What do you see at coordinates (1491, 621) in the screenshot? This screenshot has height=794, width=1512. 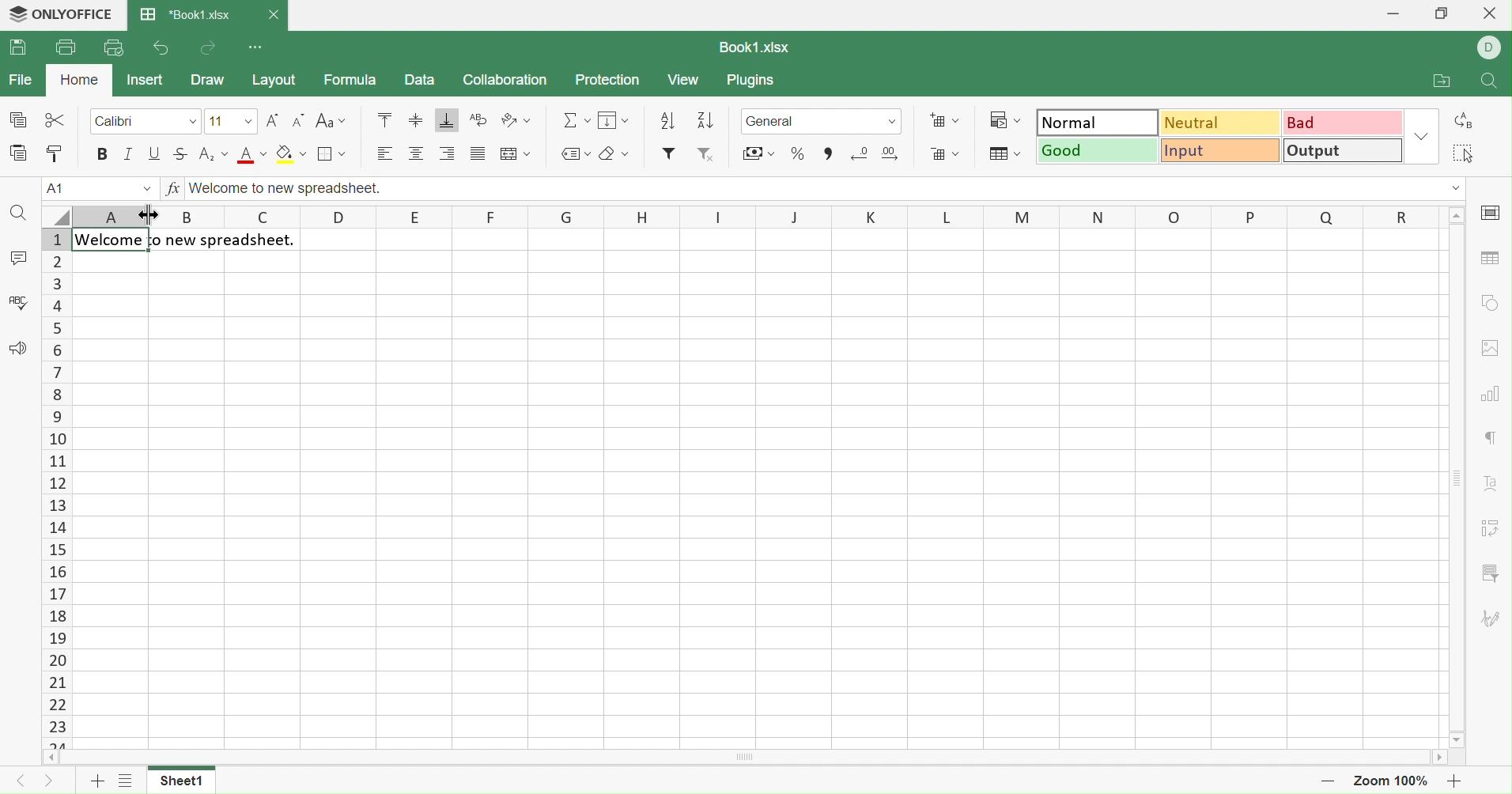 I see `Signature settings` at bounding box center [1491, 621].